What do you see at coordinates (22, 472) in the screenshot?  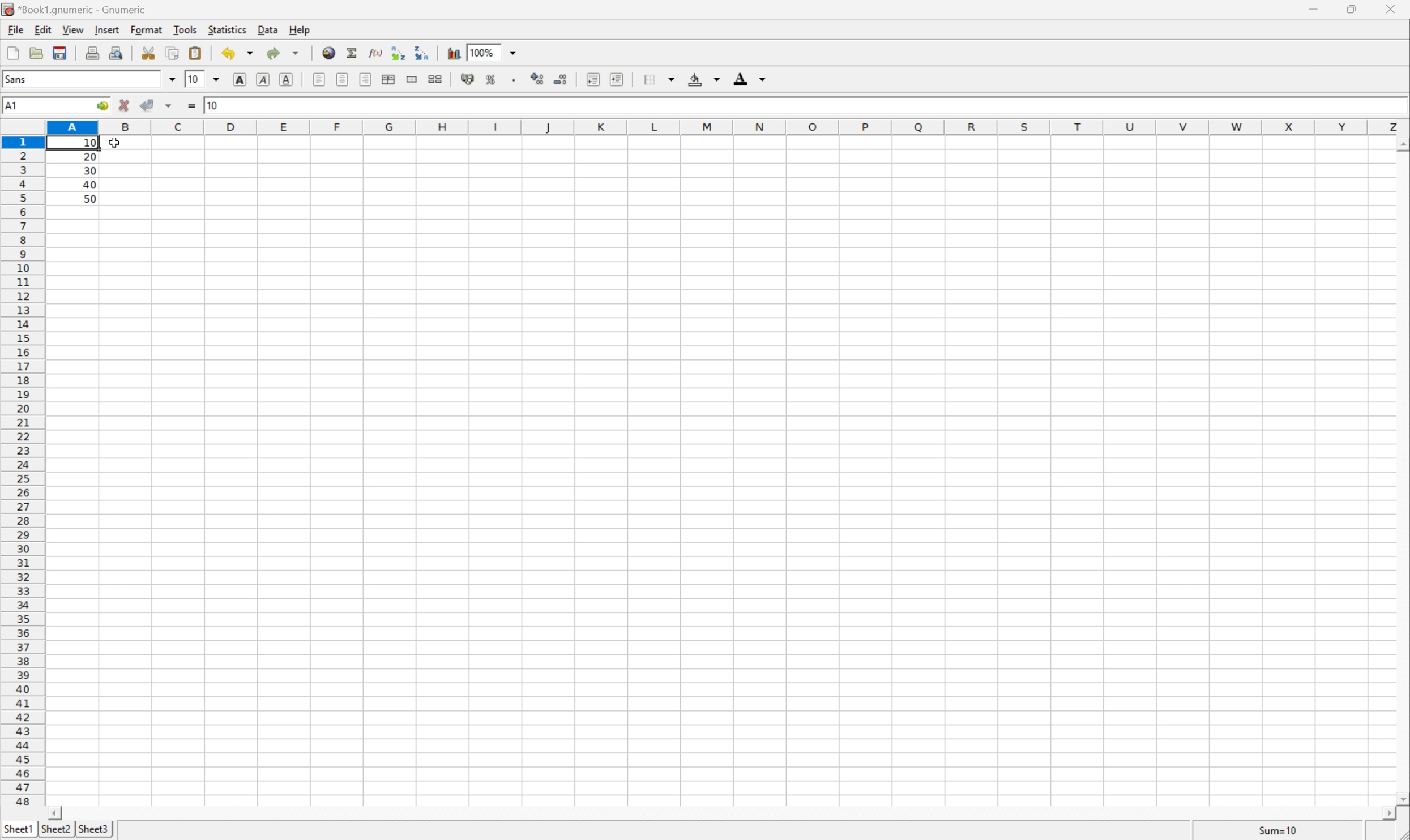 I see `Row Number` at bounding box center [22, 472].